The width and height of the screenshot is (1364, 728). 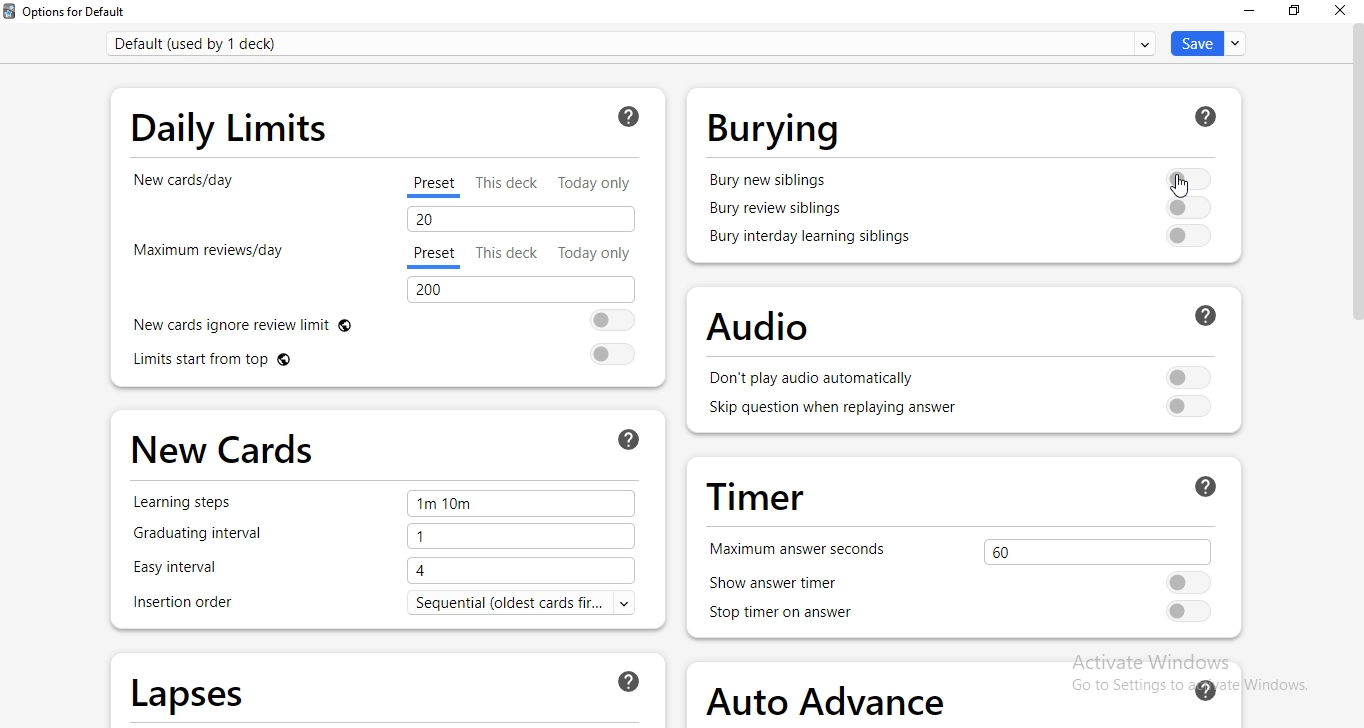 I want to click on new cards, so click(x=226, y=443).